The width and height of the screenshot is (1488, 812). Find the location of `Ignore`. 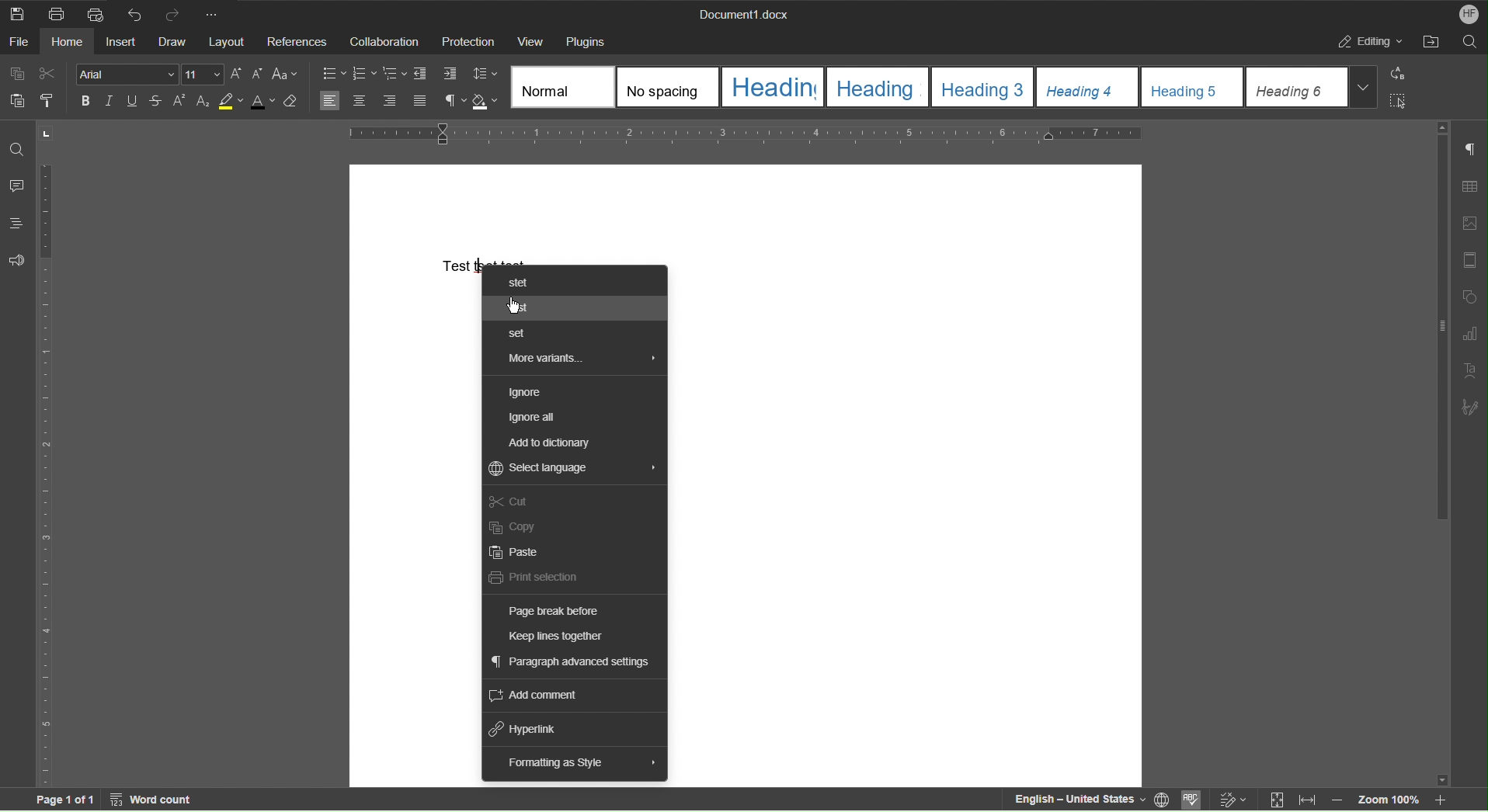

Ignore is located at coordinates (530, 390).